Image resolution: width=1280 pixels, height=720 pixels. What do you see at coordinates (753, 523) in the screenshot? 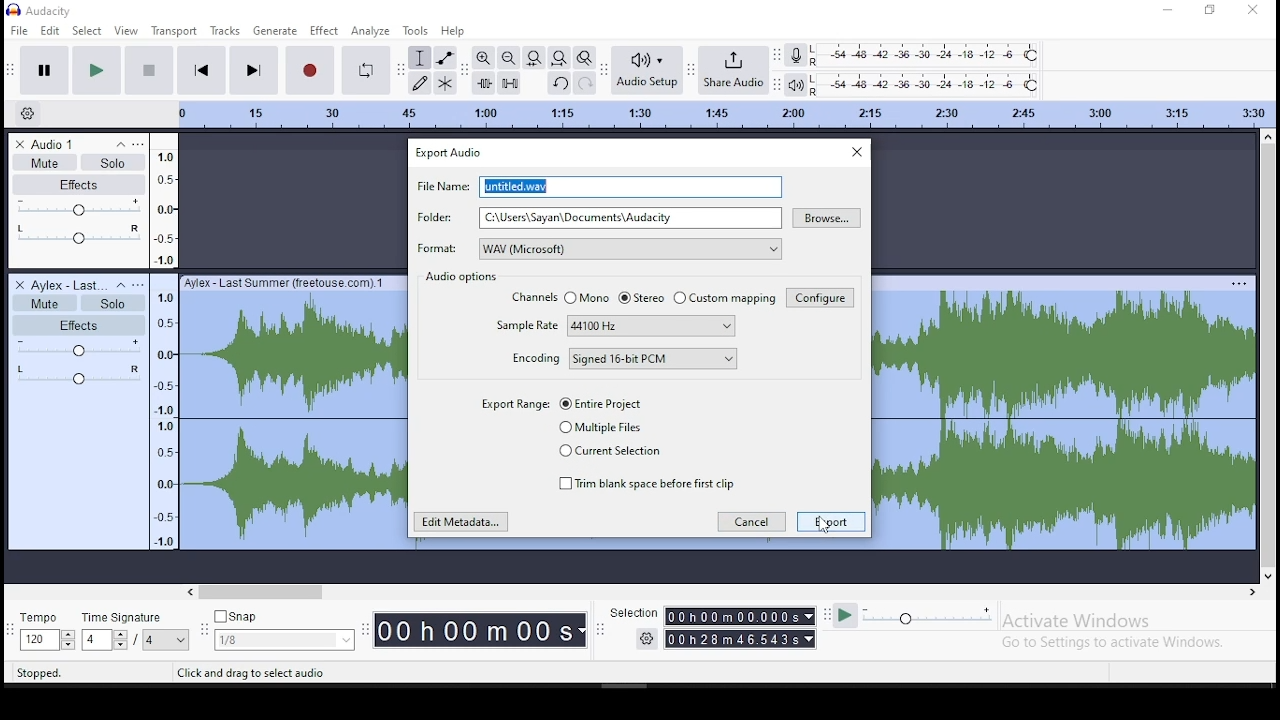
I see `cancel` at bounding box center [753, 523].